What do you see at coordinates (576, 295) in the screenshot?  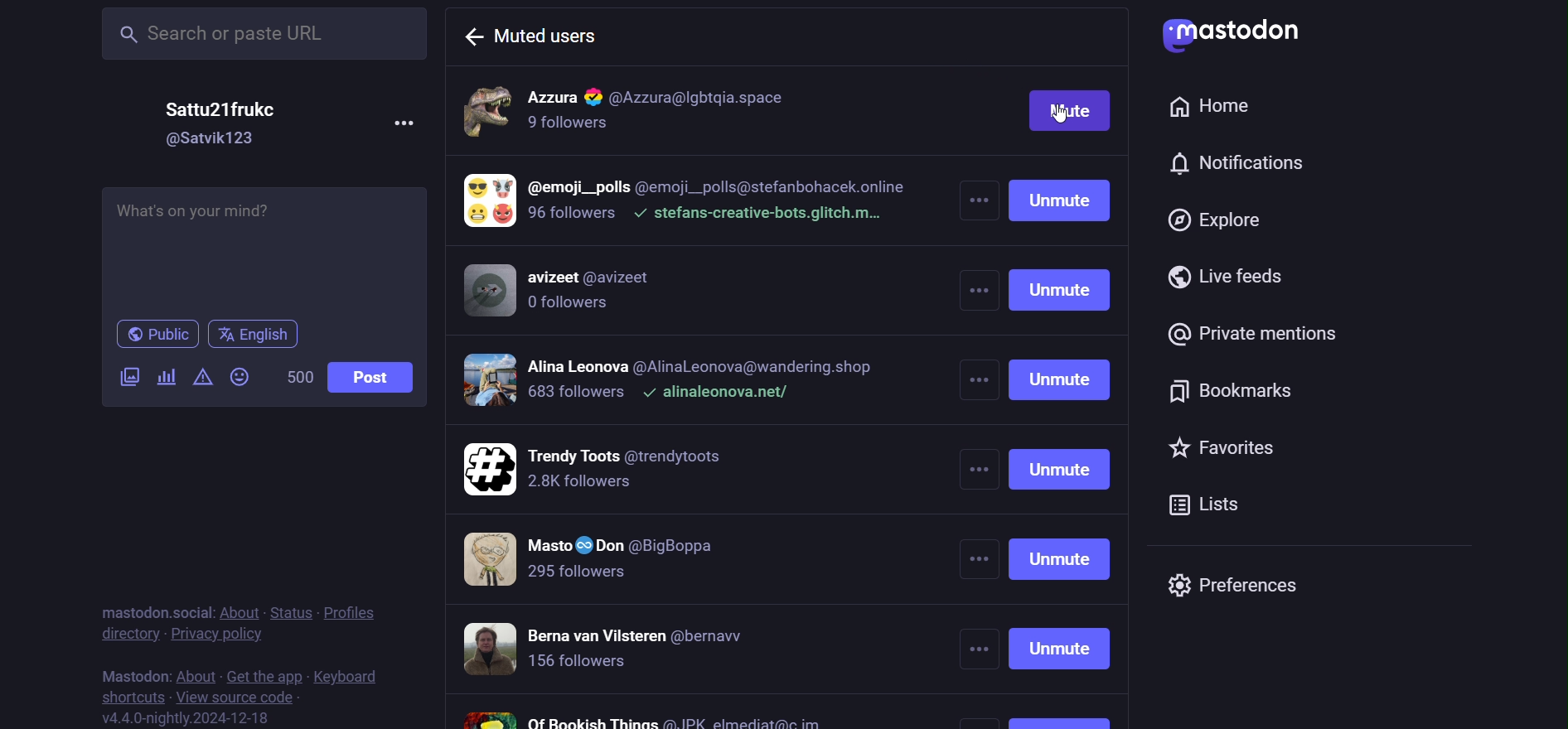 I see `muted user 3` at bounding box center [576, 295].